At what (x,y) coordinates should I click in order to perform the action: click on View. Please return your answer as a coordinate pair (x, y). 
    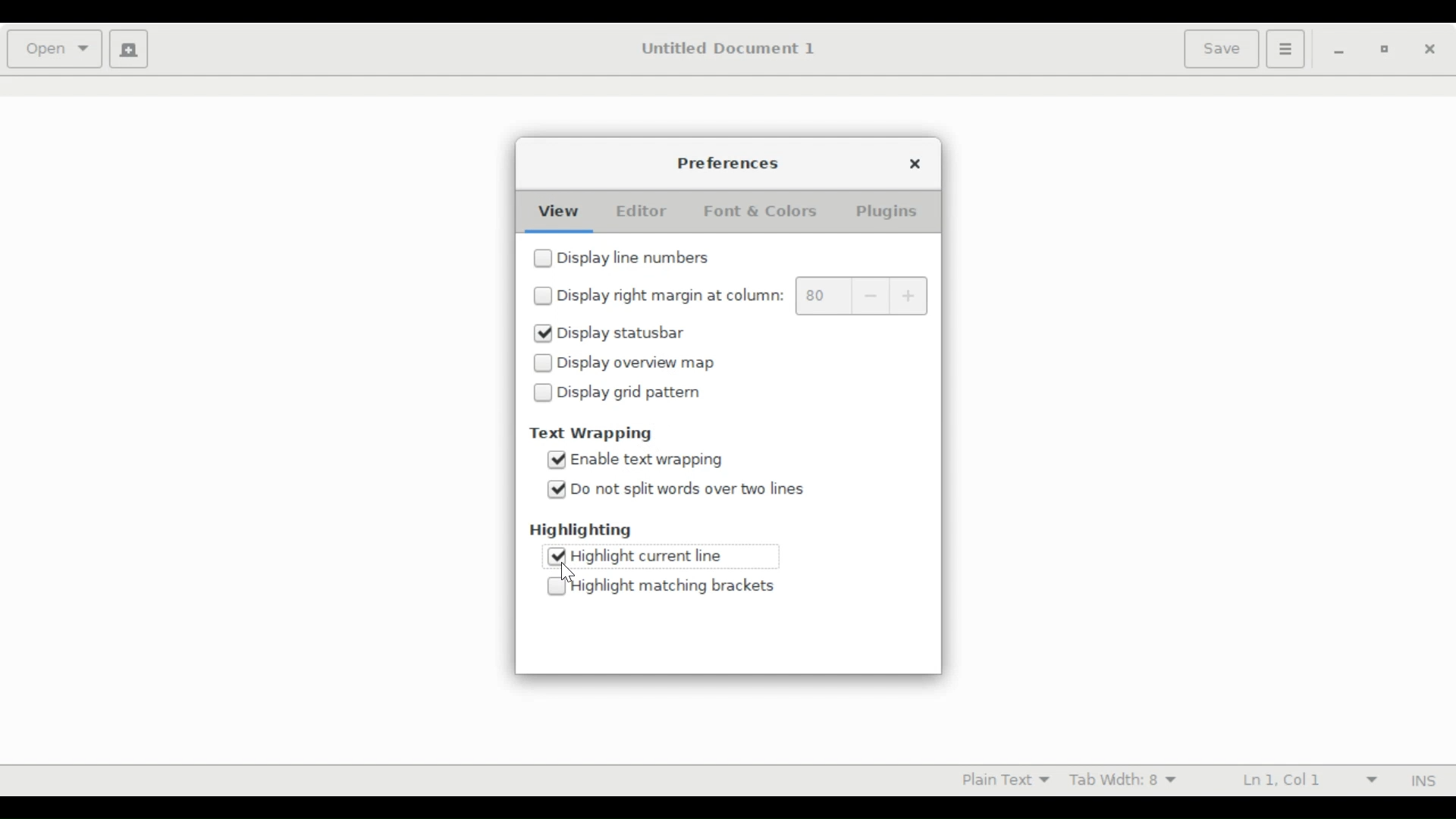
    Looking at the image, I should click on (559, 211).